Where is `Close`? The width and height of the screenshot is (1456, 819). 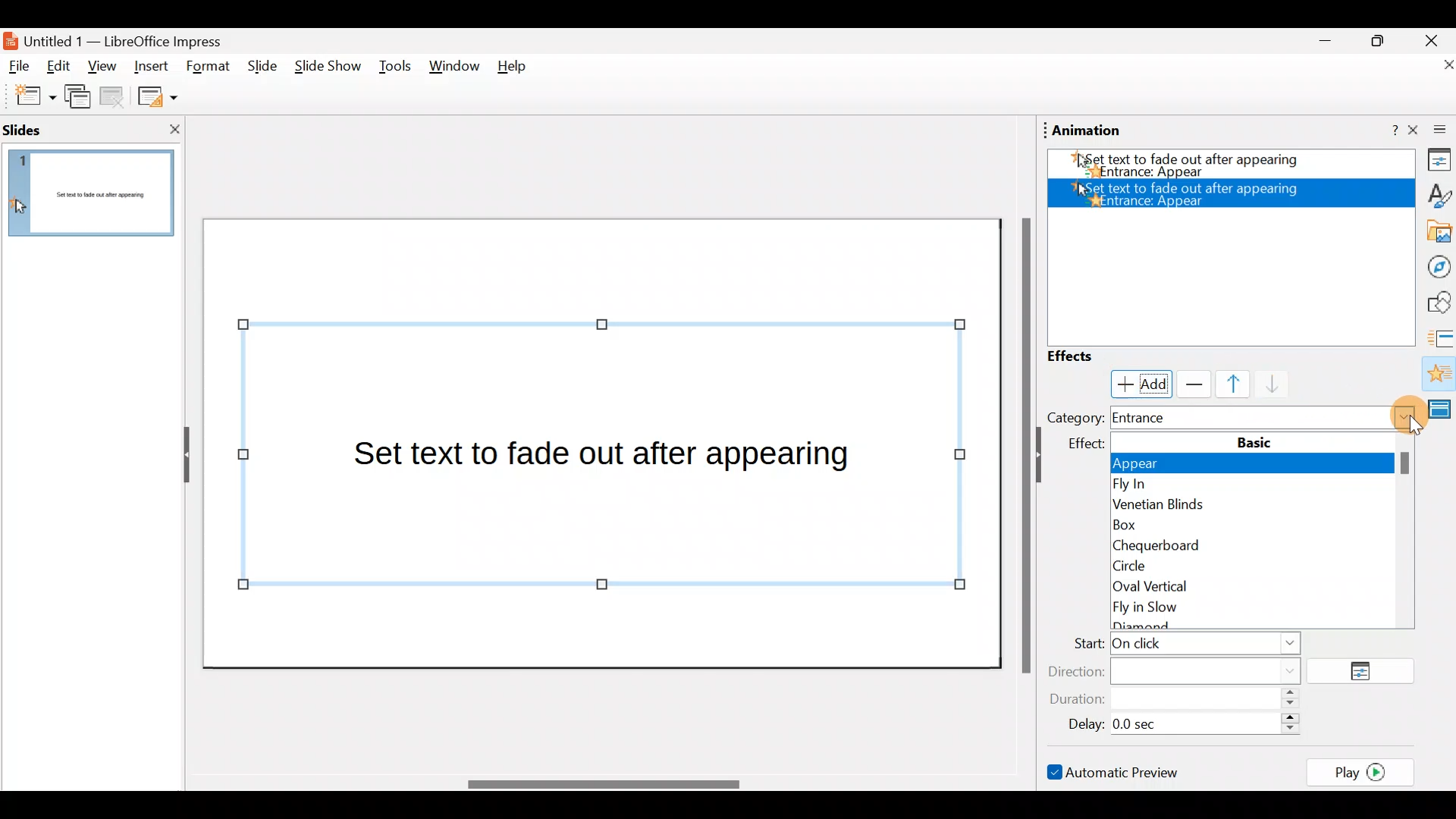
Close is located at coordinates (1432, 39).